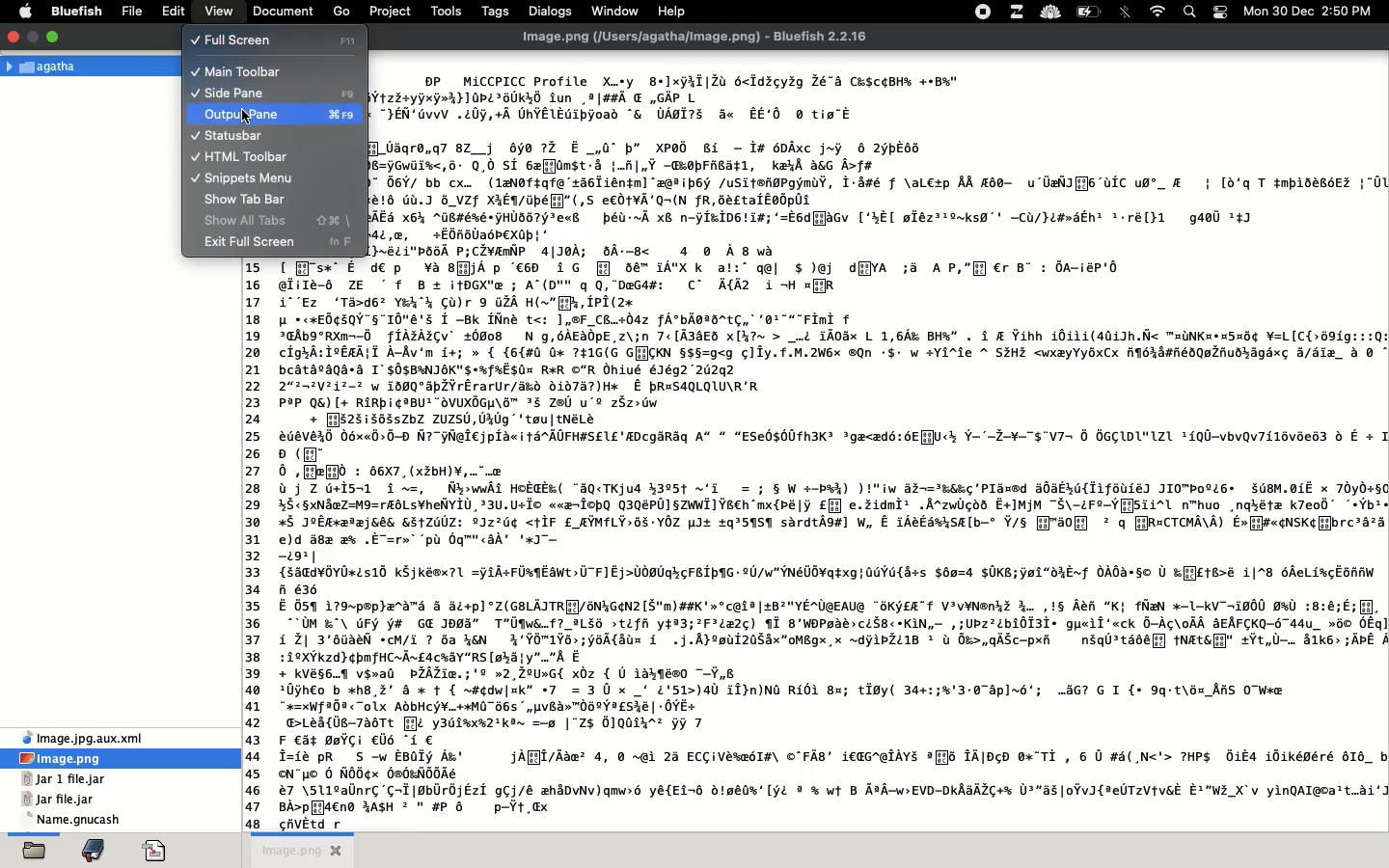 The image size is (1389, 868). I want to click on show tab bar, so click(247, 199).